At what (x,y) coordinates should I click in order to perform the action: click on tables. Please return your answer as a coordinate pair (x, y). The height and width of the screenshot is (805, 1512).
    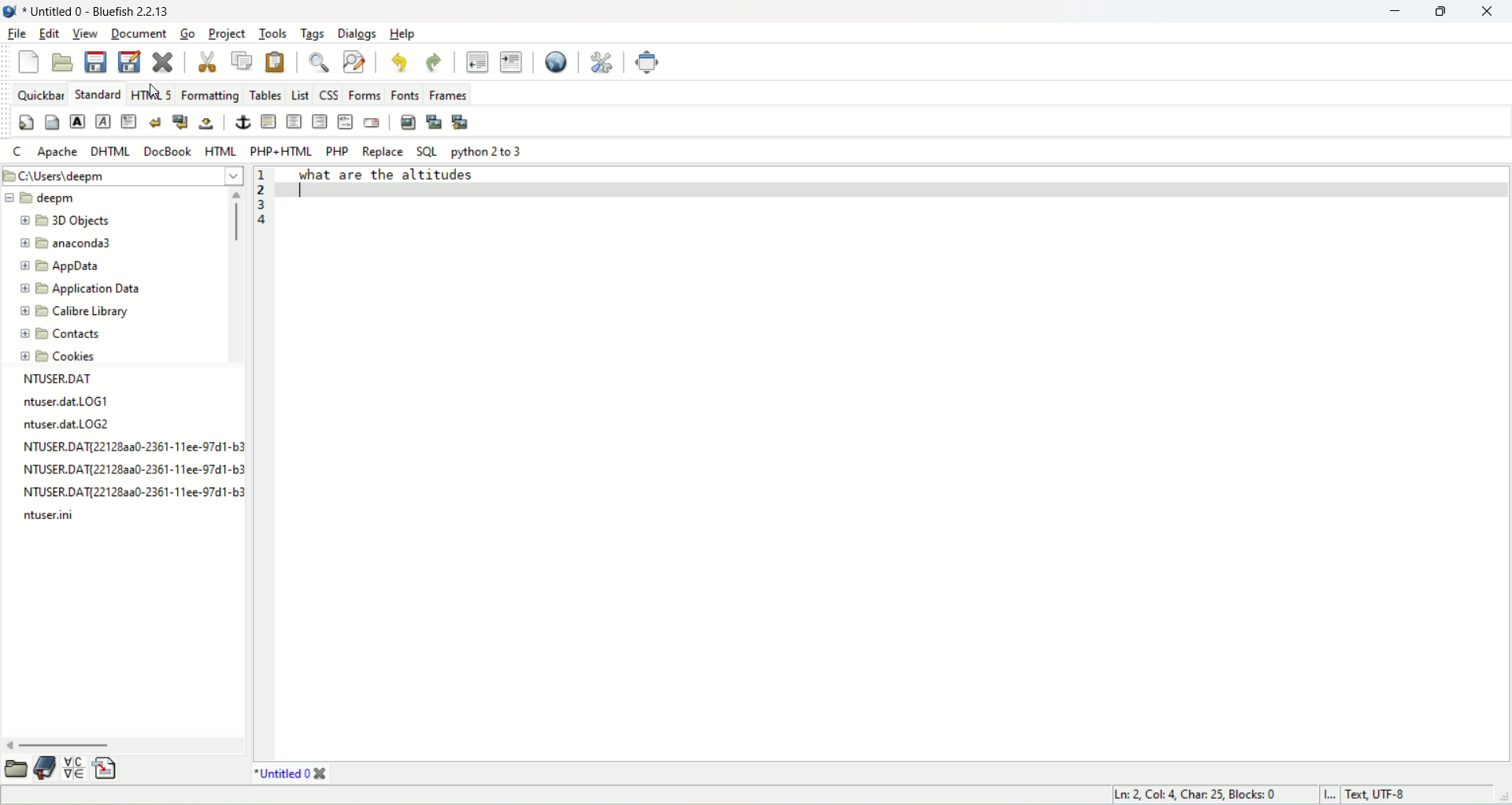
    Looking at the image, I should click on (266, 95).